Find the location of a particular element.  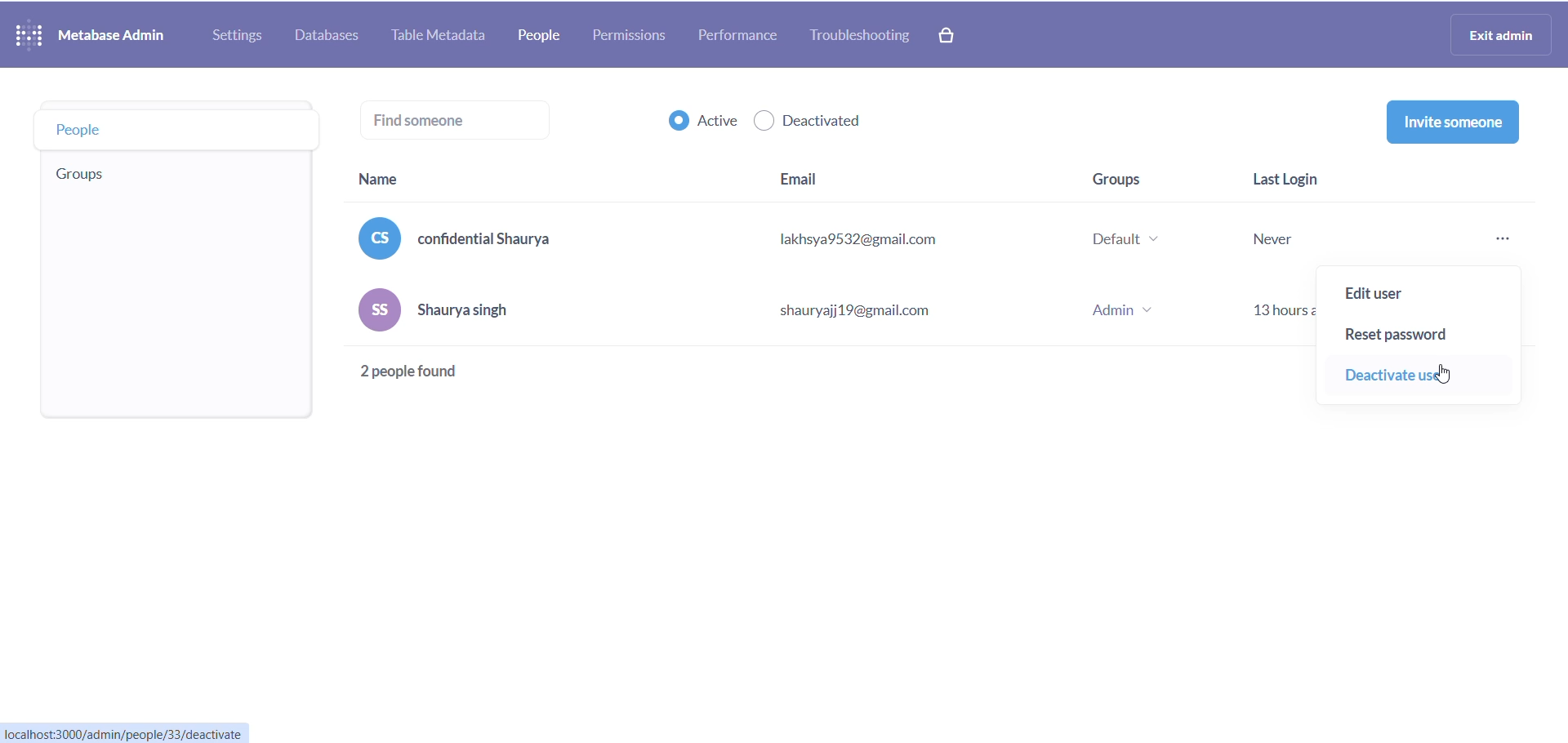

performance is located at coordinates (737, 35).